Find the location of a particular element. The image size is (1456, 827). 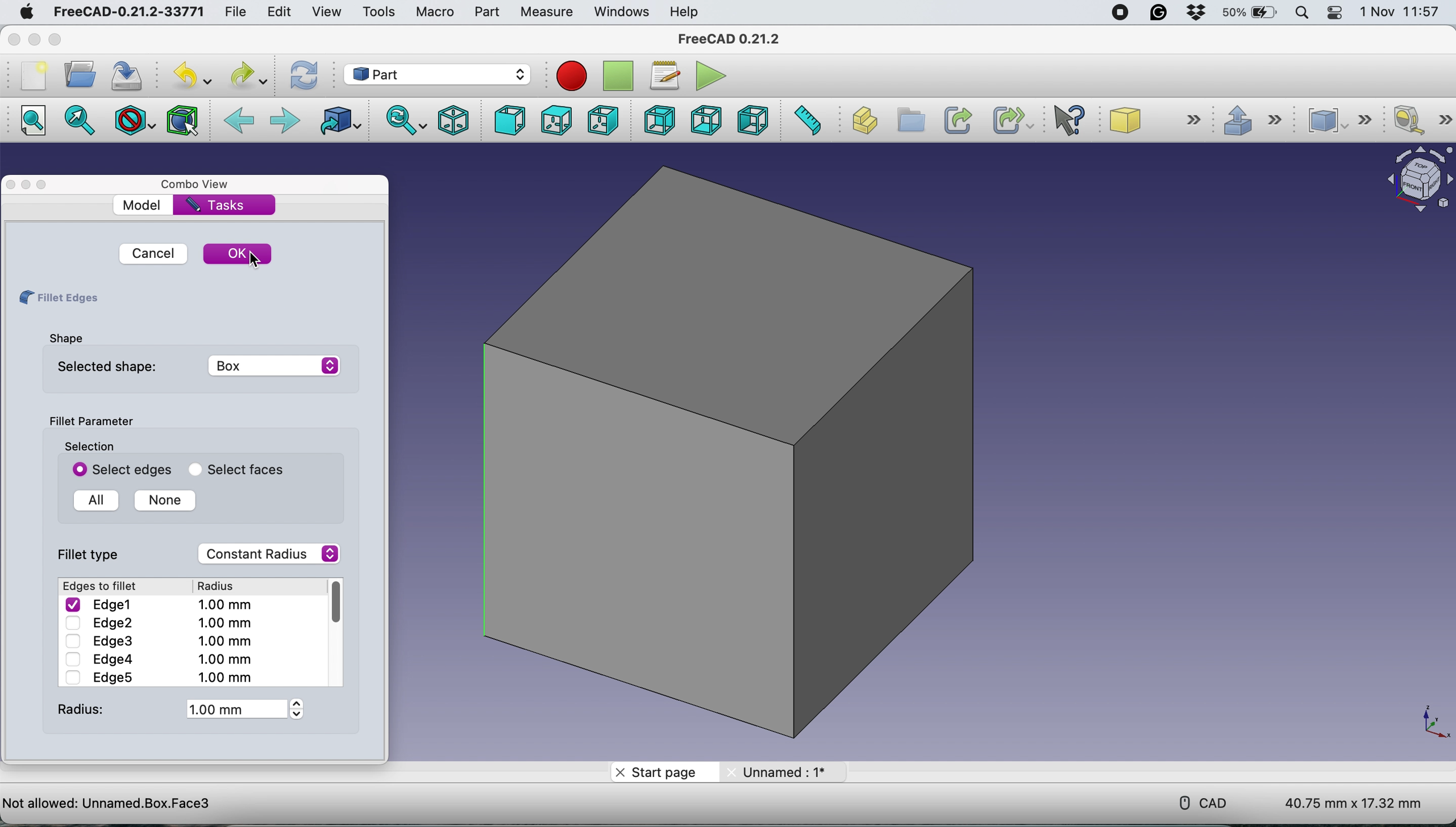

minimise is located at coordinates (27, 185).